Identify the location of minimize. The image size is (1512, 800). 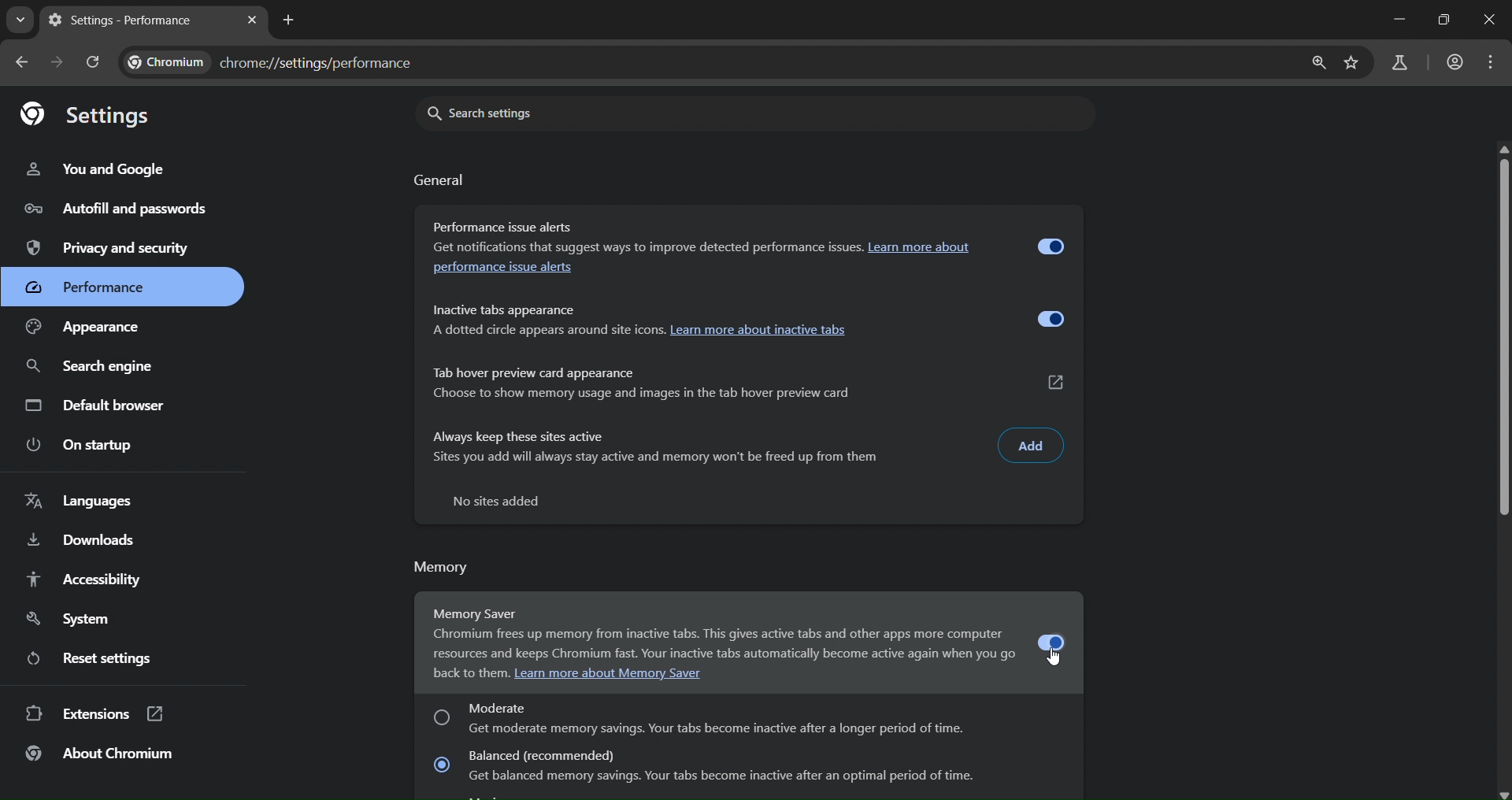
(1395, 17).